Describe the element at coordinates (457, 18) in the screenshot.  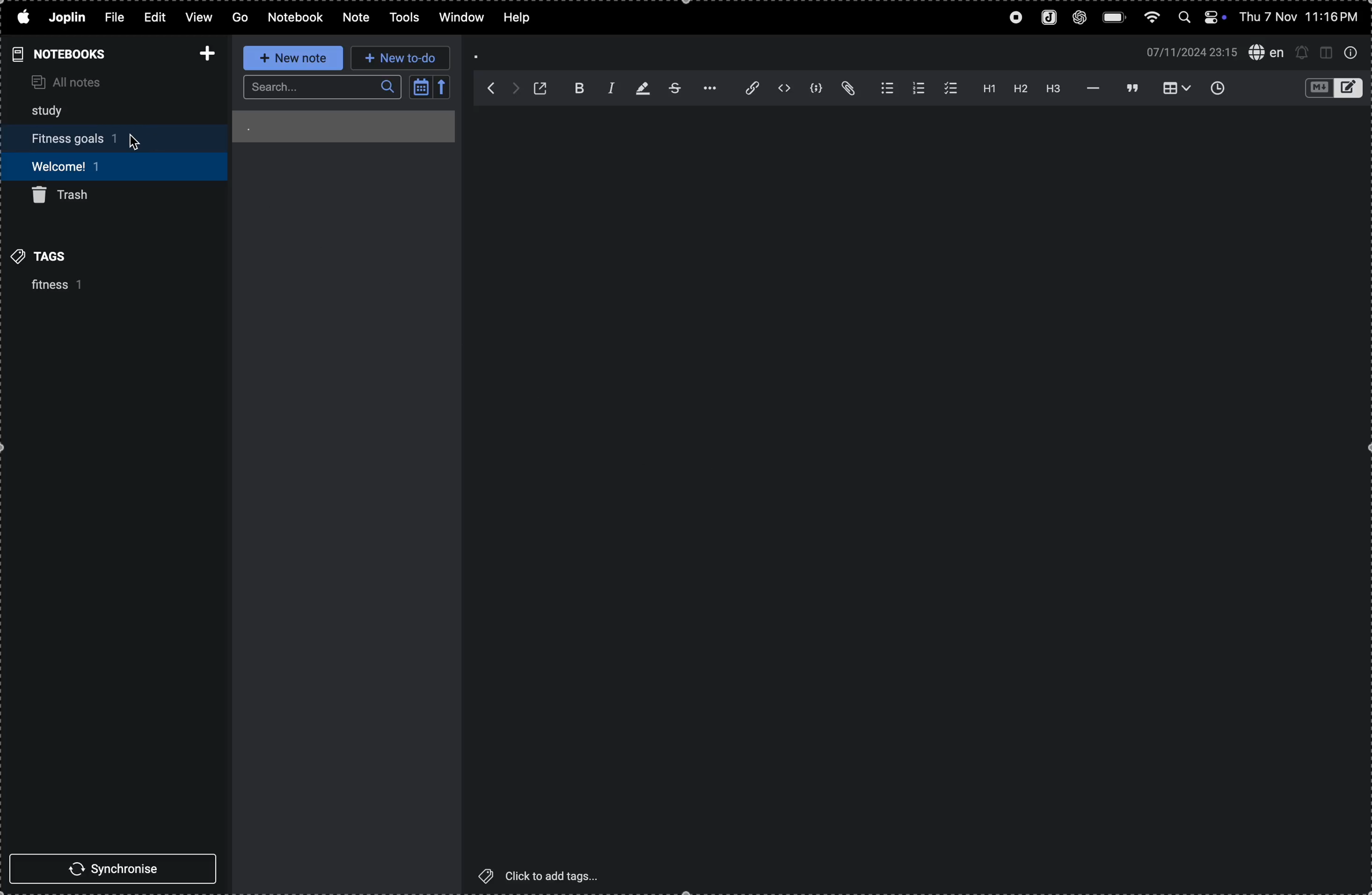
I see `window` at that location.